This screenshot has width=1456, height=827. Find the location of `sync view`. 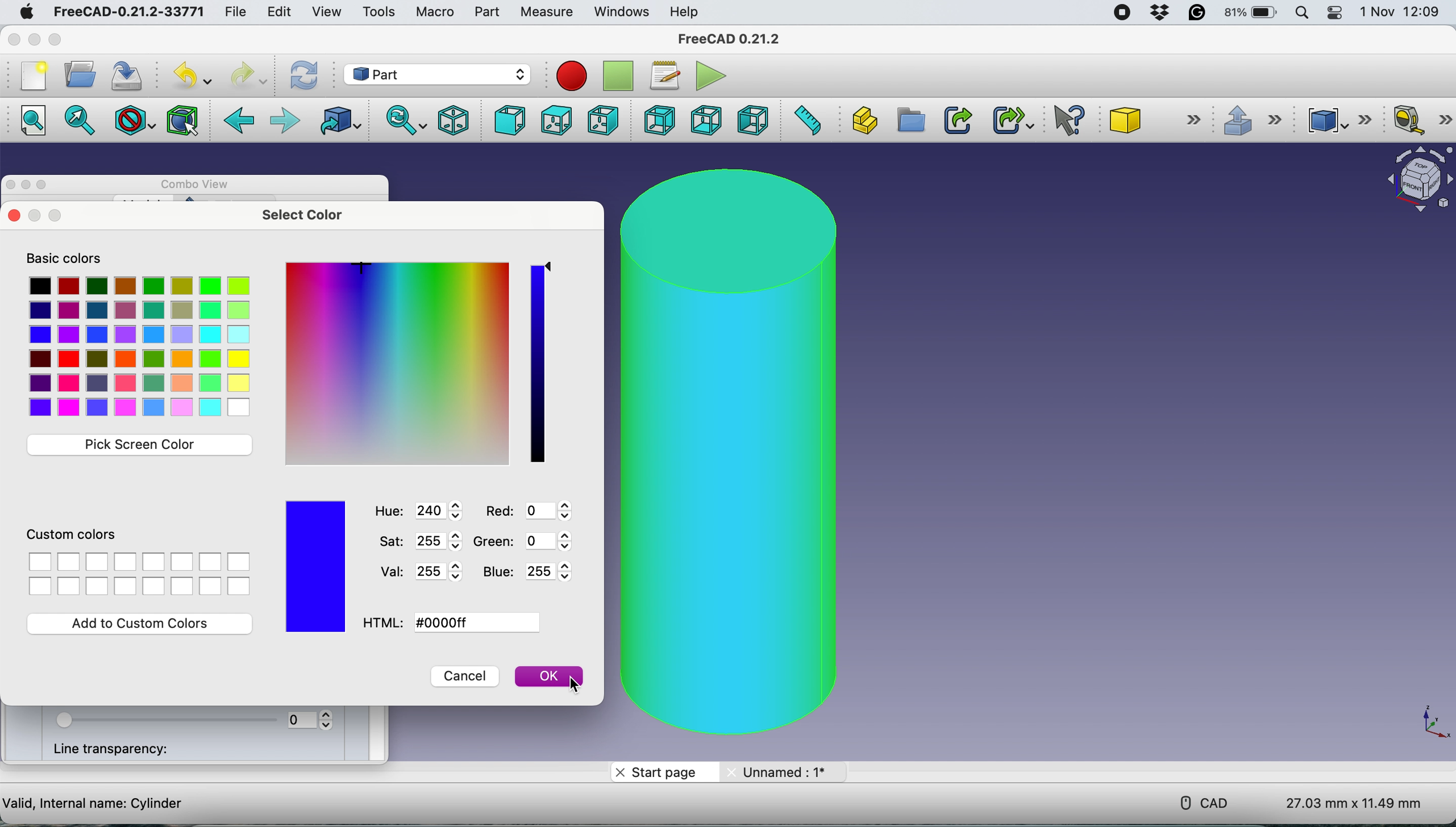

sync view is located at coordinates (403, 120).